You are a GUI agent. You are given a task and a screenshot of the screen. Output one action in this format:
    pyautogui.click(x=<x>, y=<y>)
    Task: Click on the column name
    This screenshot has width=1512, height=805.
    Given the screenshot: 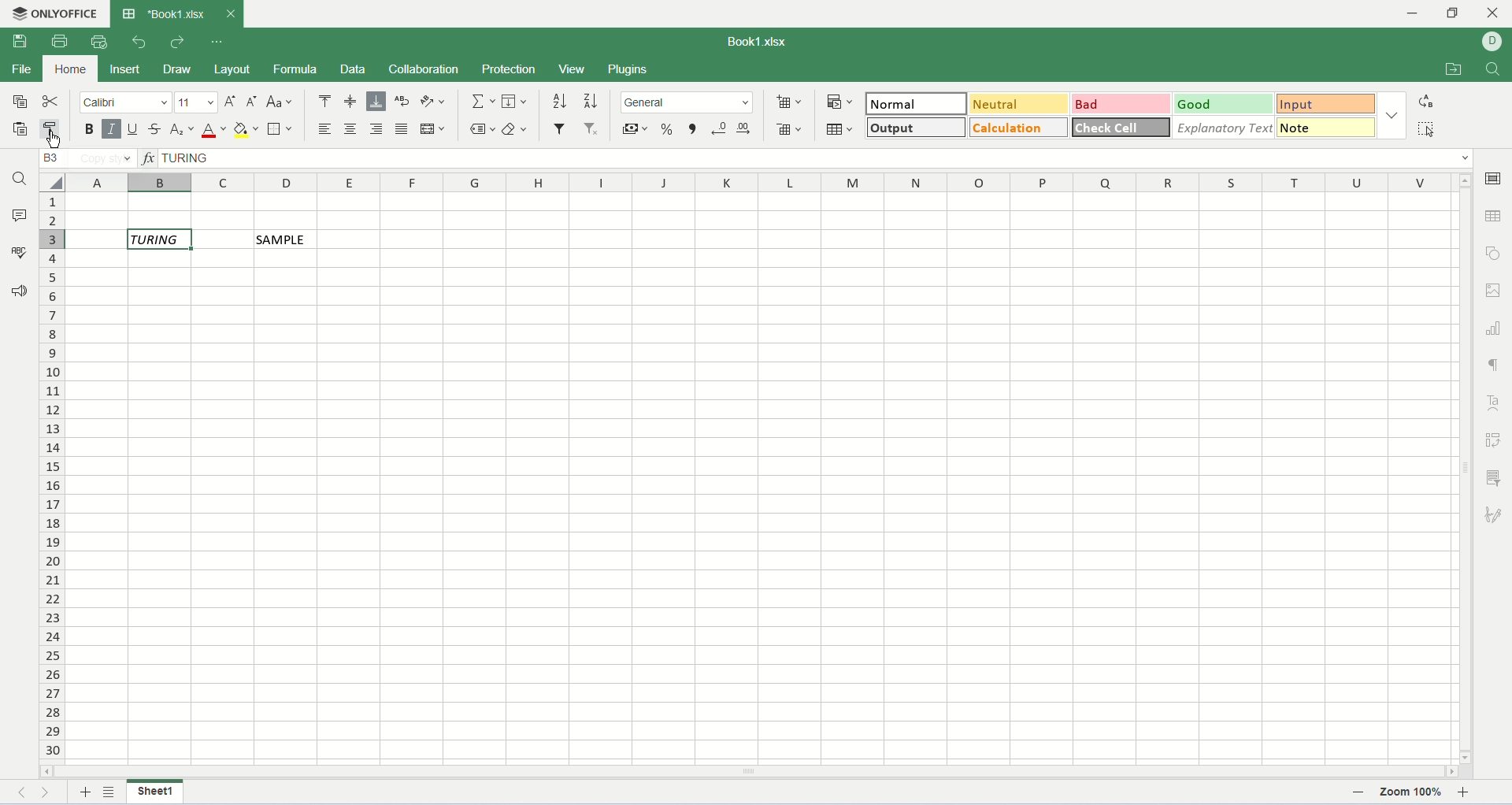 What is the action you would take?
    pyautogui.click(x=764, y=184)
    